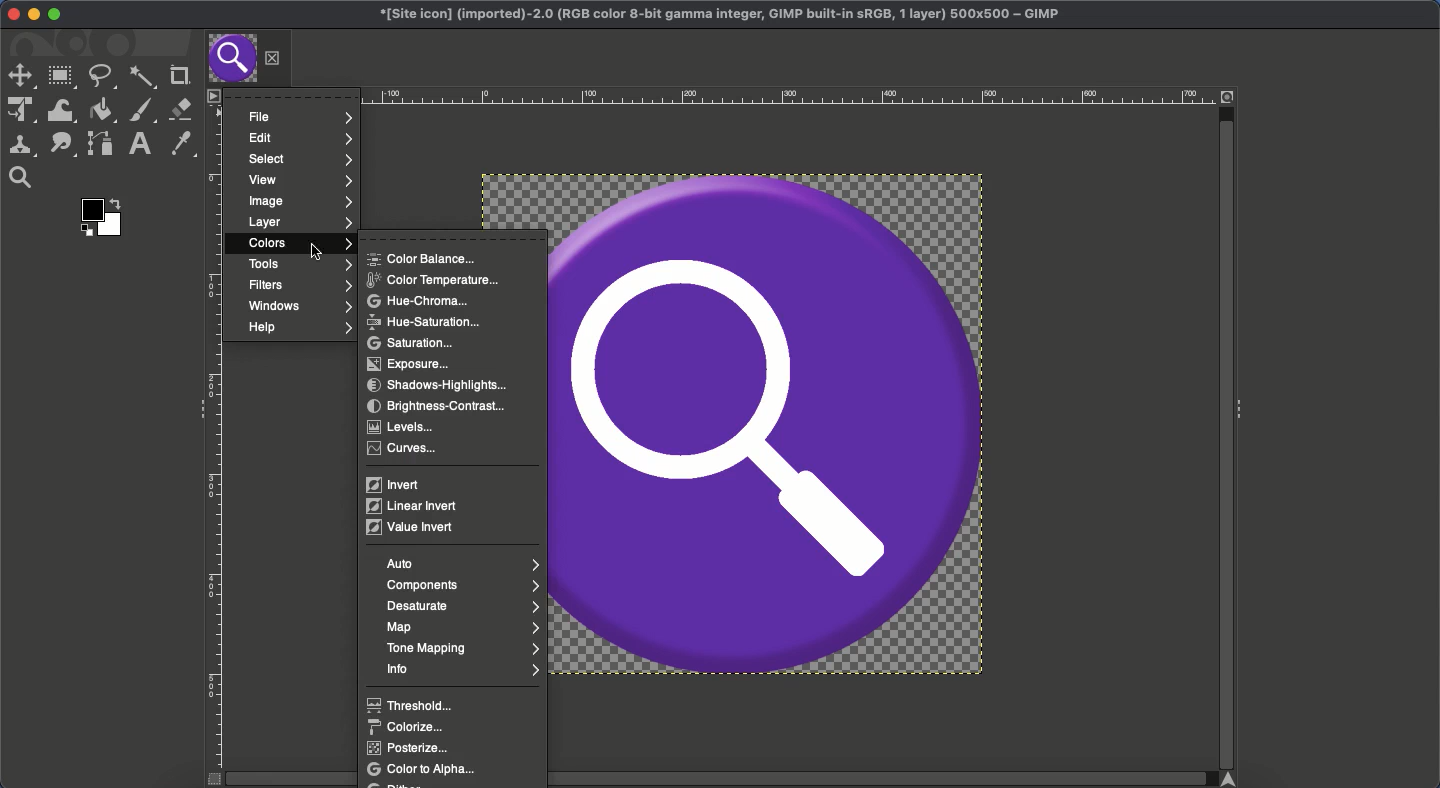 The height and width of the screenshot is (788, 1440). Describe the element at coordinates (463, 650) in the screenshot. I see `Tone mapping` at that location.